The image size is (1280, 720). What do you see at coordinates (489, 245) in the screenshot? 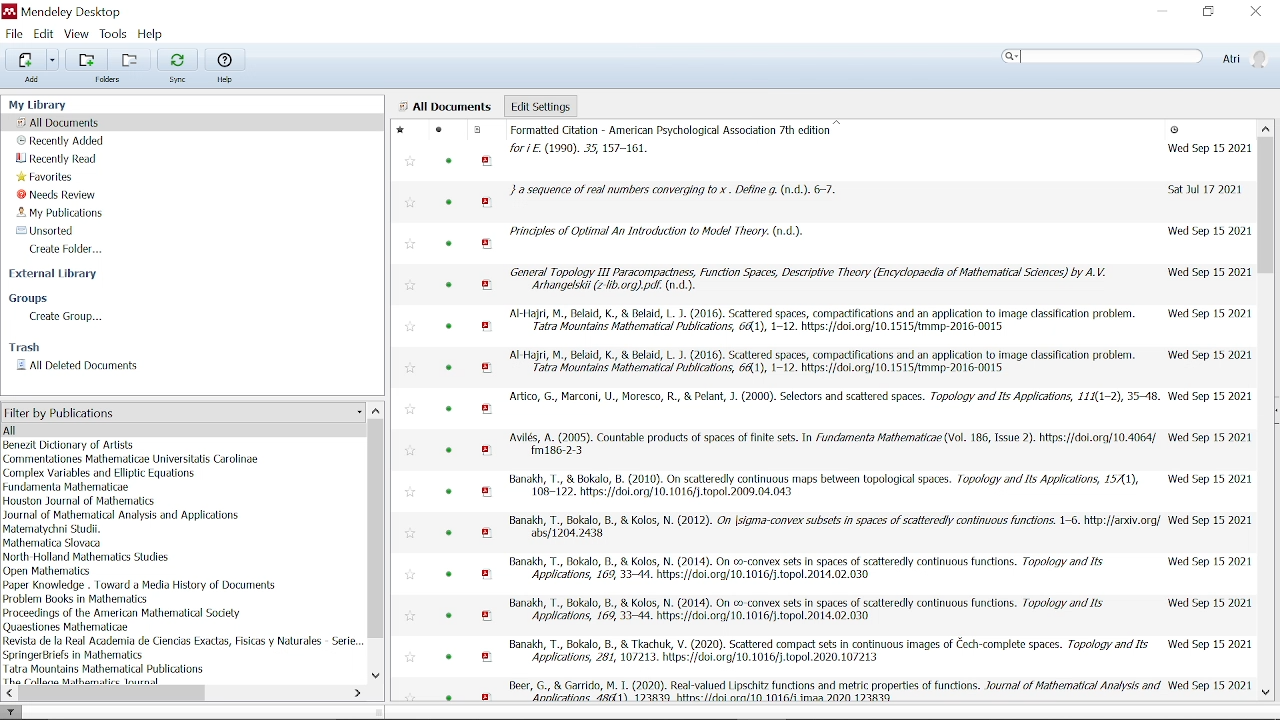
I see `pdf` at bounding box center [489, 245].